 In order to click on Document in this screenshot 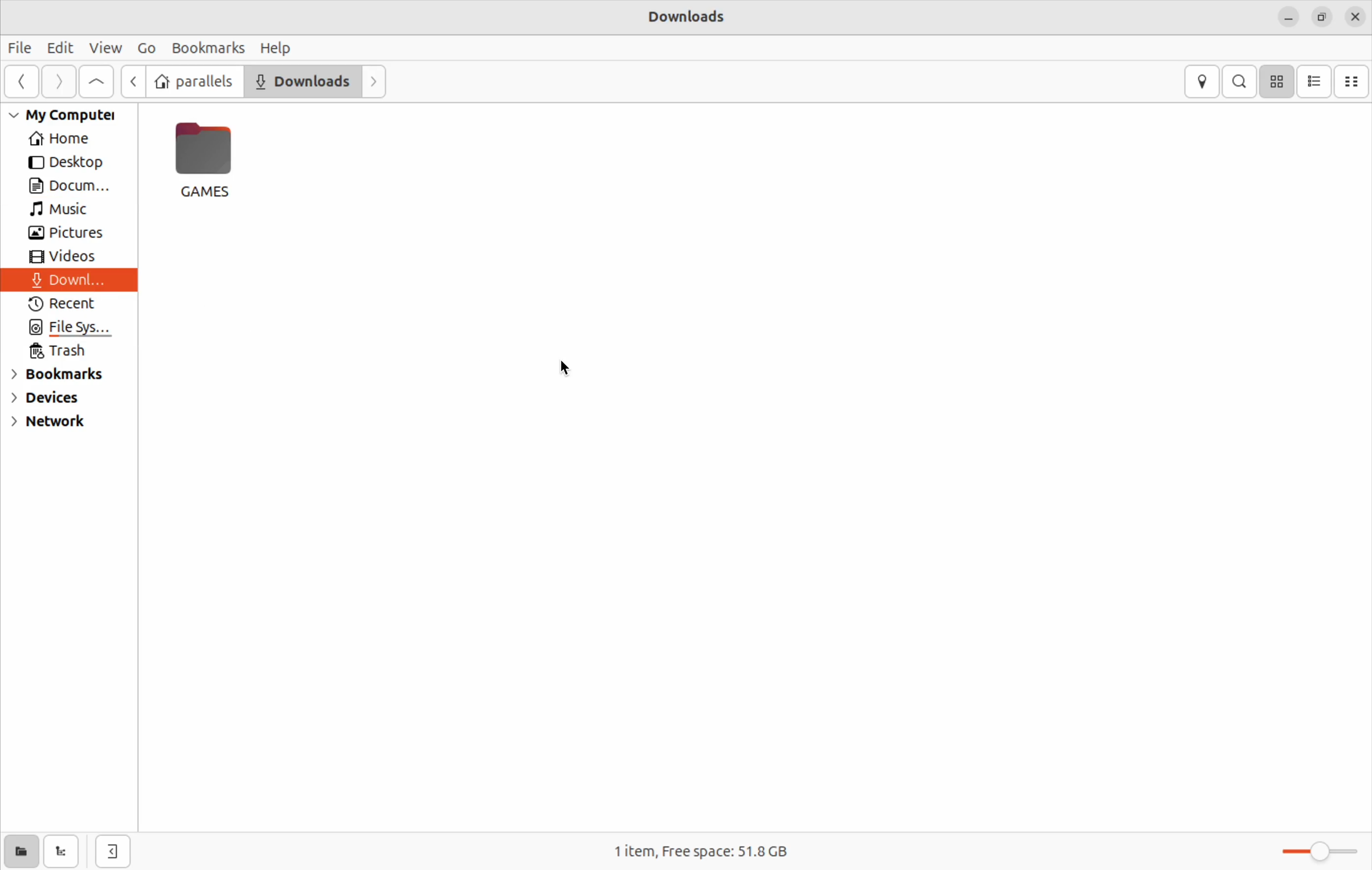, I will do `click(71, 187)`.